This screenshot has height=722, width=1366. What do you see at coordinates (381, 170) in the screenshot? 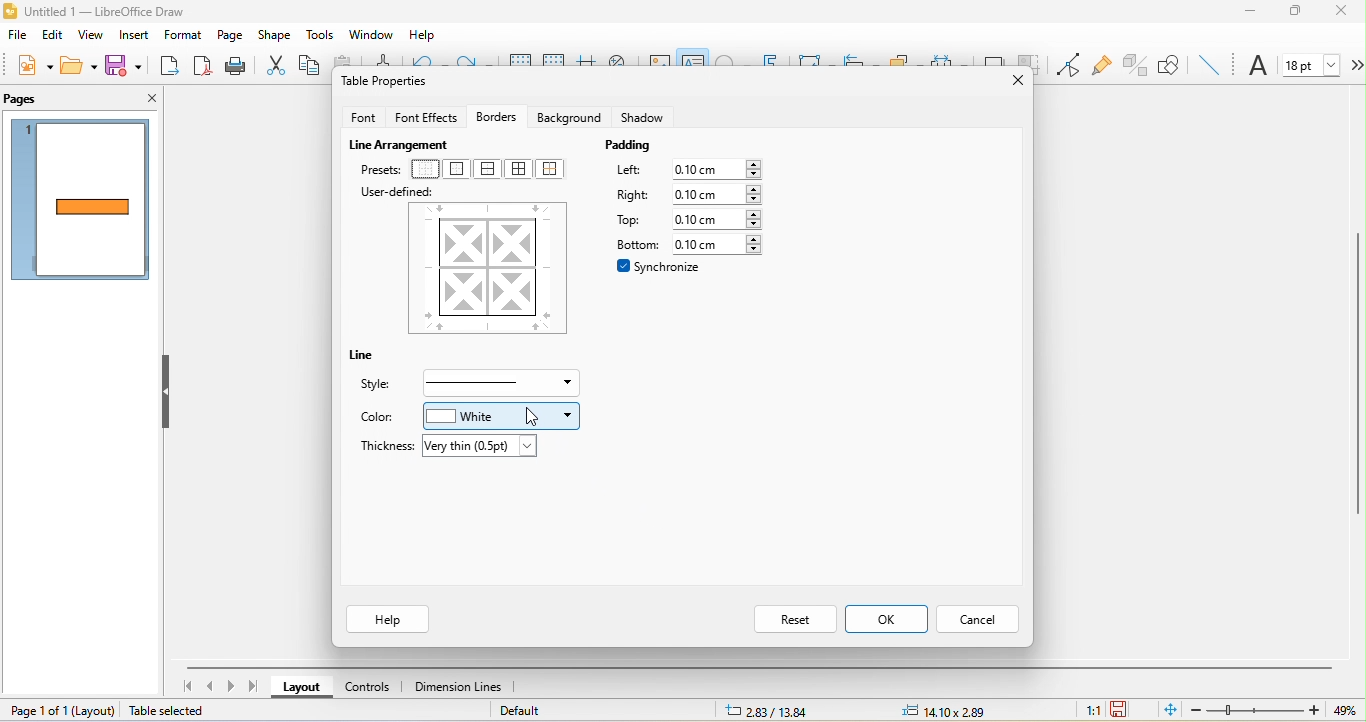
I see `presets` at bounding box center [381, 170].